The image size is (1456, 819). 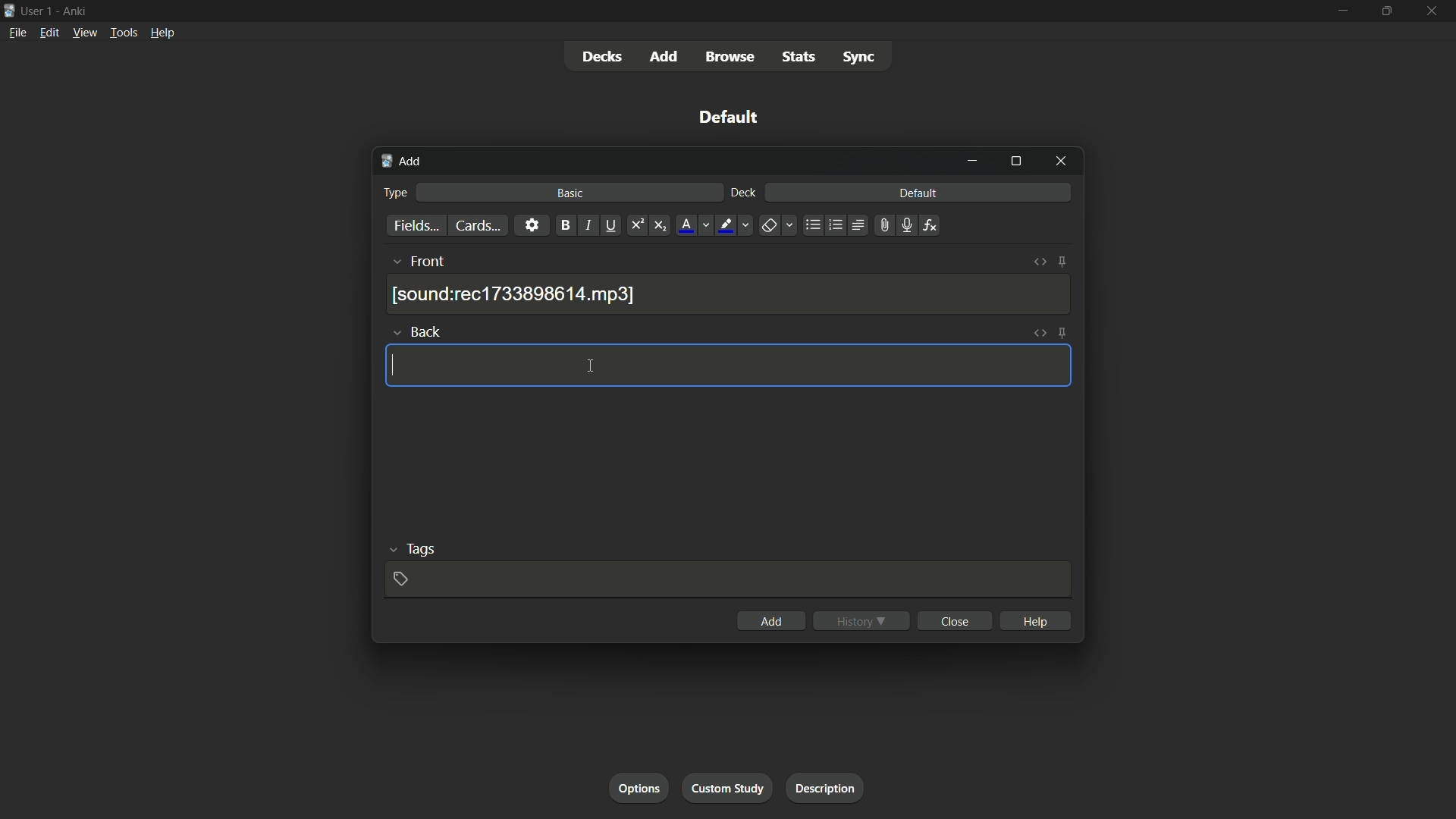 What do you see at coordinates (858, 227) in the screenshot?
I see `alignment` at bounding box center [858, 227].